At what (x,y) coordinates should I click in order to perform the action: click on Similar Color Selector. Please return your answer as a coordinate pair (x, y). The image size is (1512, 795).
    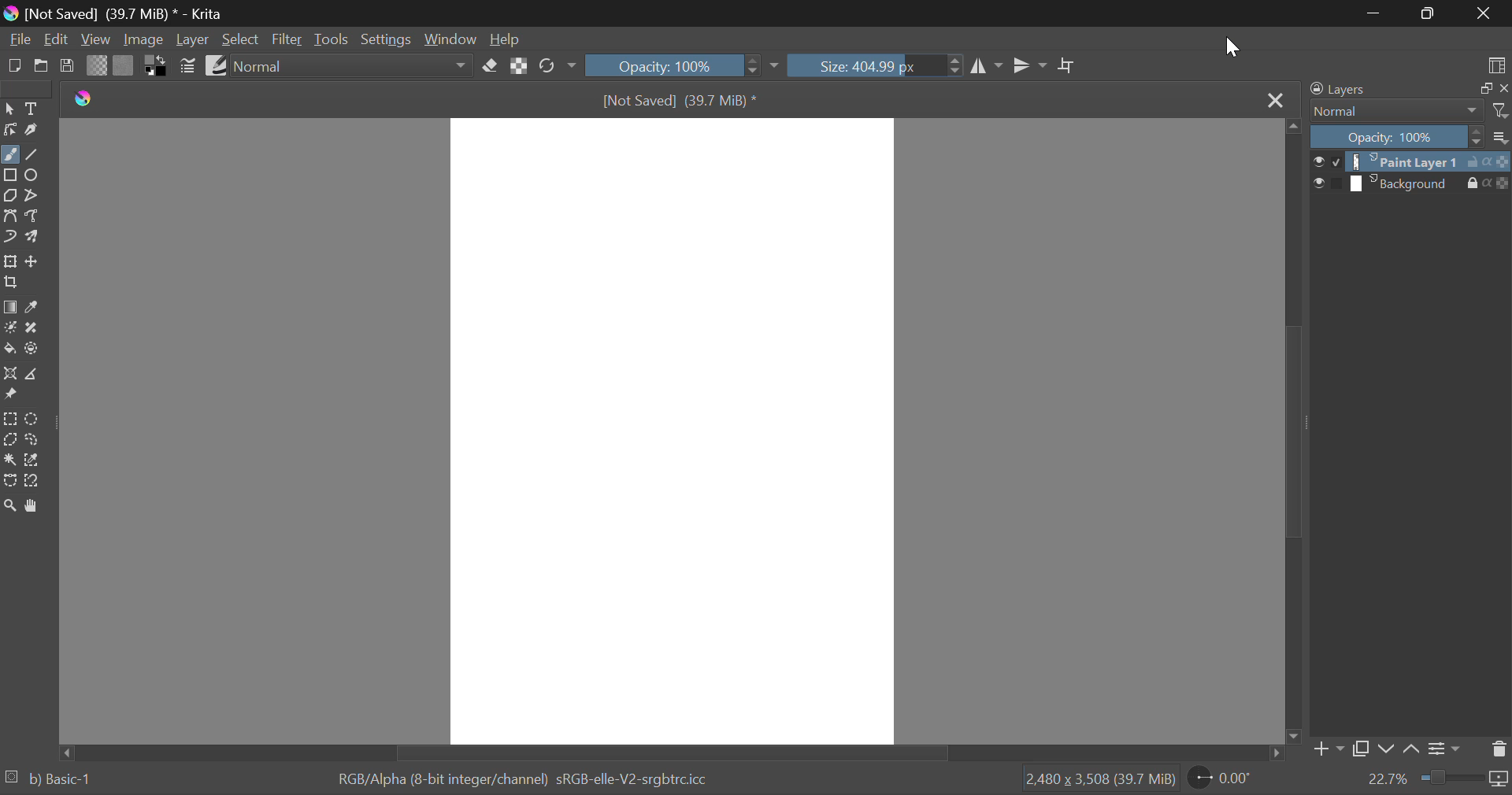
    Looking at the image, I should click on (33, 461).